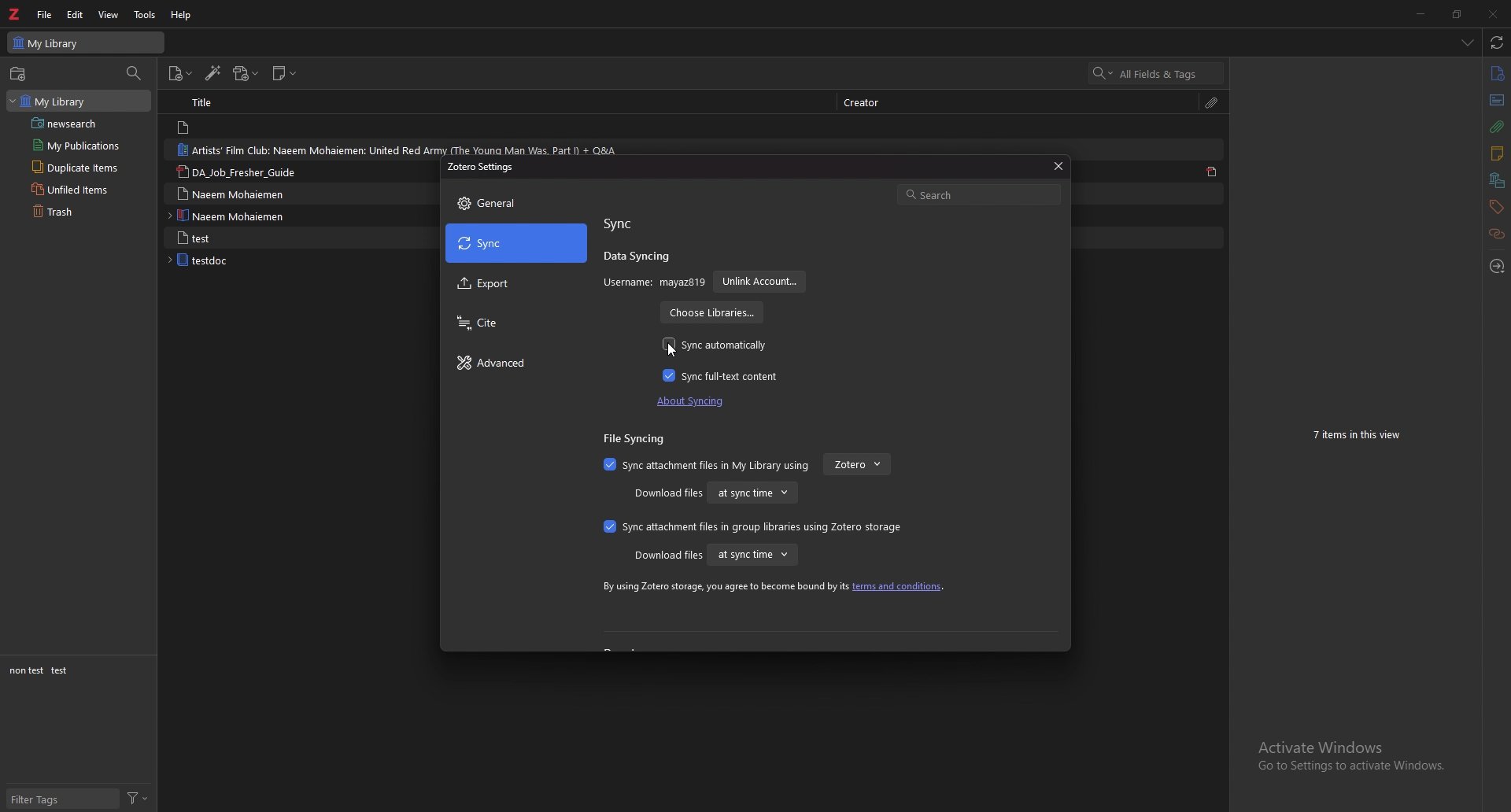 The width and height of the screenshot is (1511, 812). I want to click on duplicate items, so click(83, 167).